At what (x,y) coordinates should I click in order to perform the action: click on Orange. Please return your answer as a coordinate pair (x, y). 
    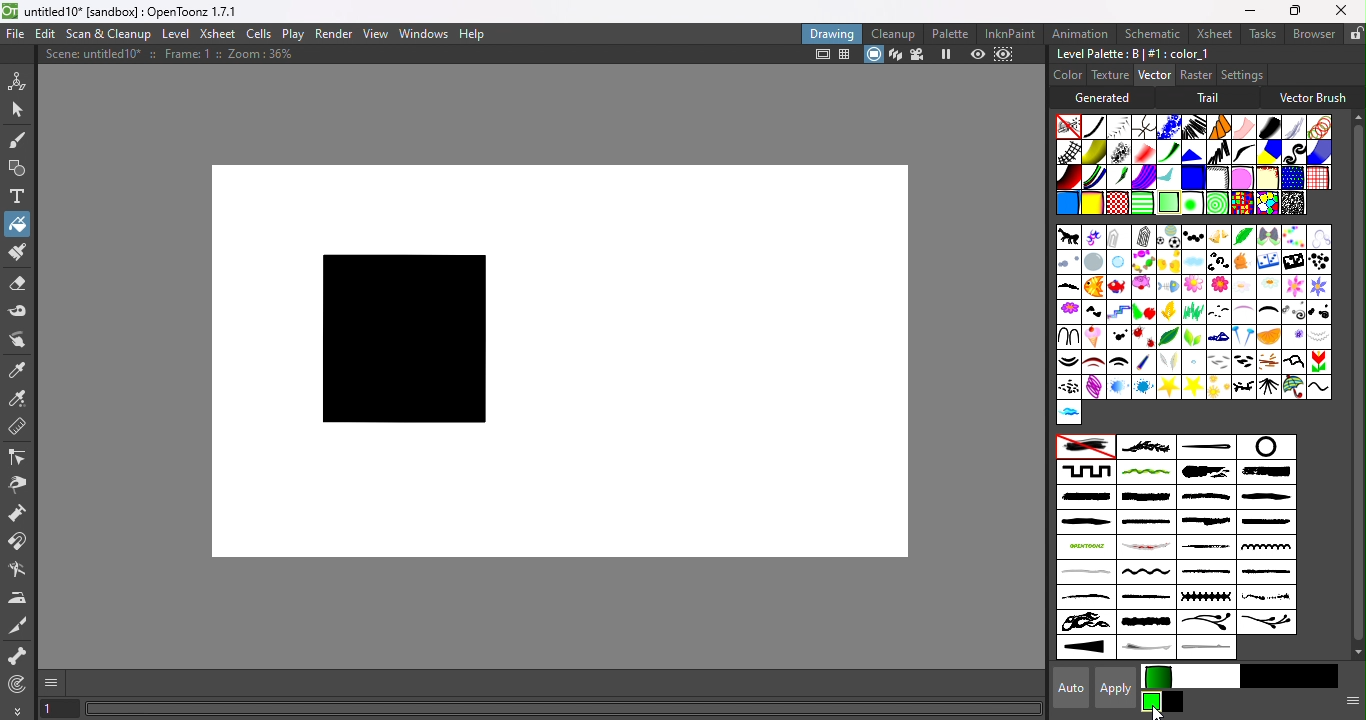
    Looking at the image, I should click on (1272, 337).